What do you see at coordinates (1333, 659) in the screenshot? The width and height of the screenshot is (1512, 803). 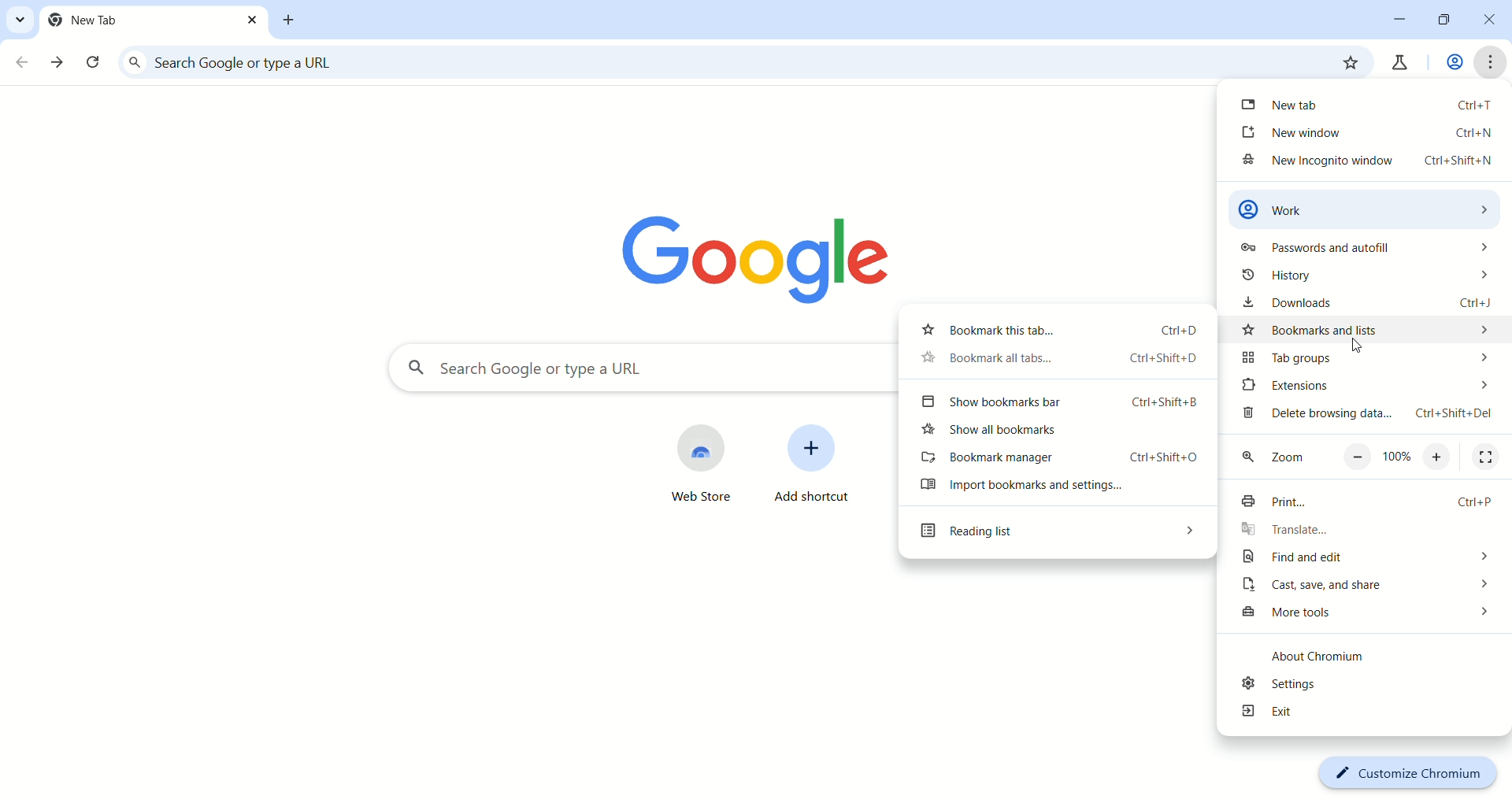 I see `about chromium` at bounding box center [1333, 659].